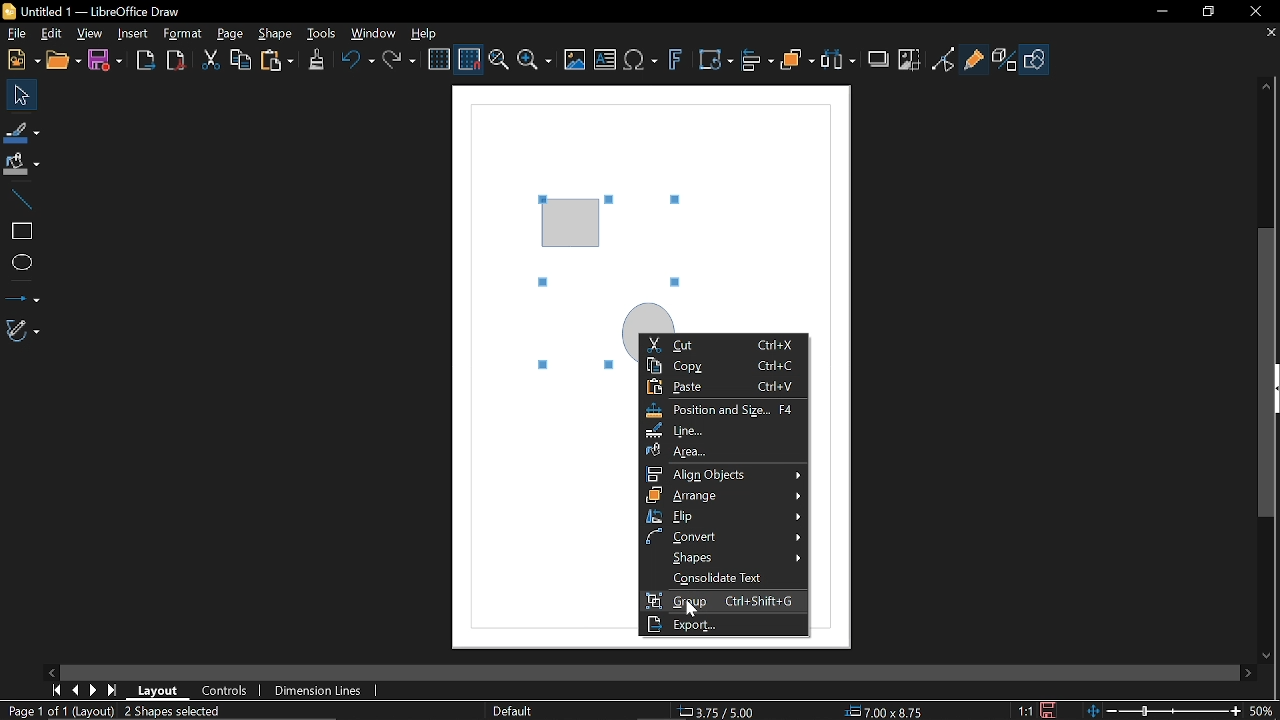  I want to click on Shadow, so click(878, 59).